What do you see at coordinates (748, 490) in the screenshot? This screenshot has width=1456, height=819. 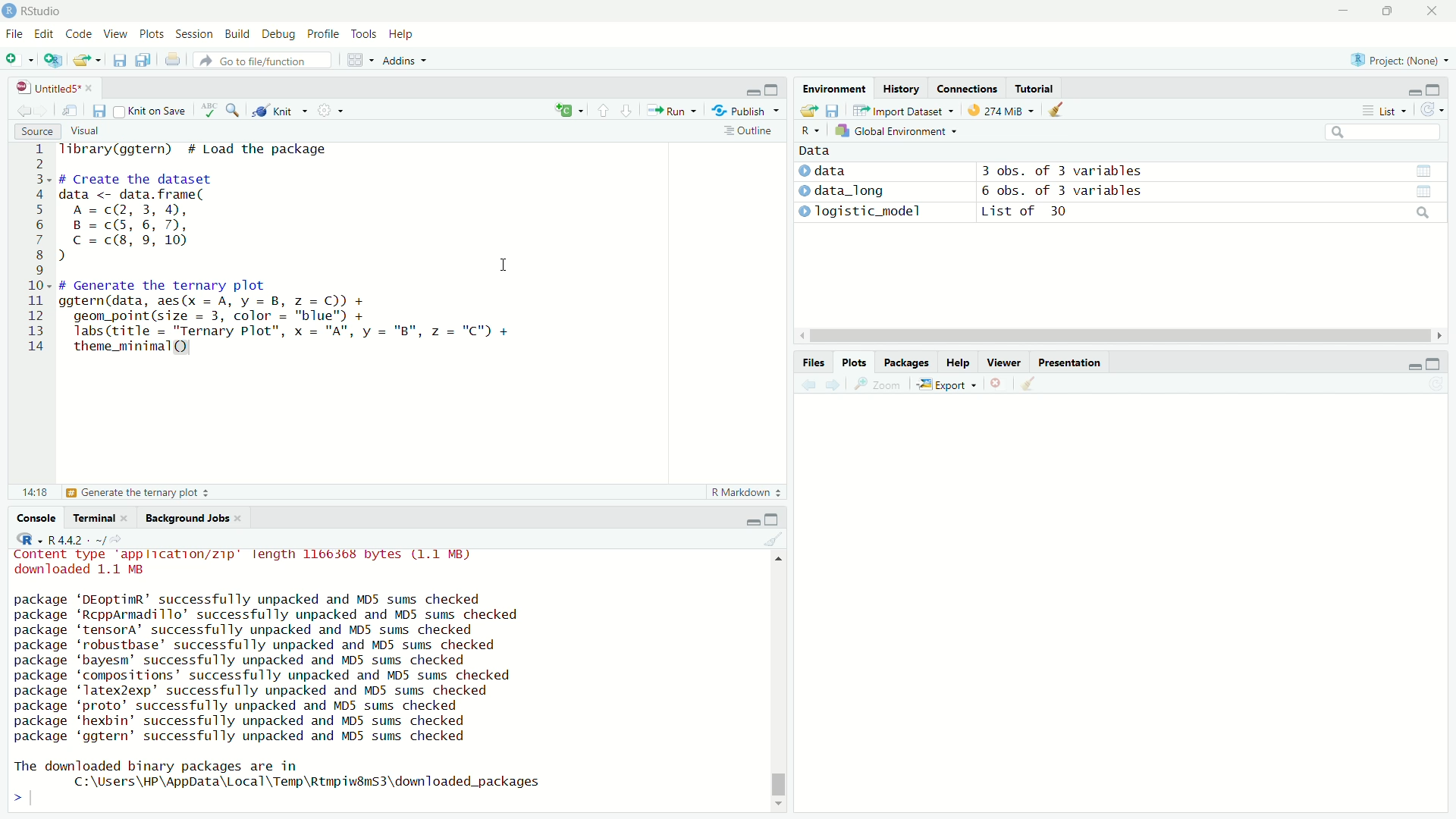 I see `R Markdown *` at bounding box center [748, 490].